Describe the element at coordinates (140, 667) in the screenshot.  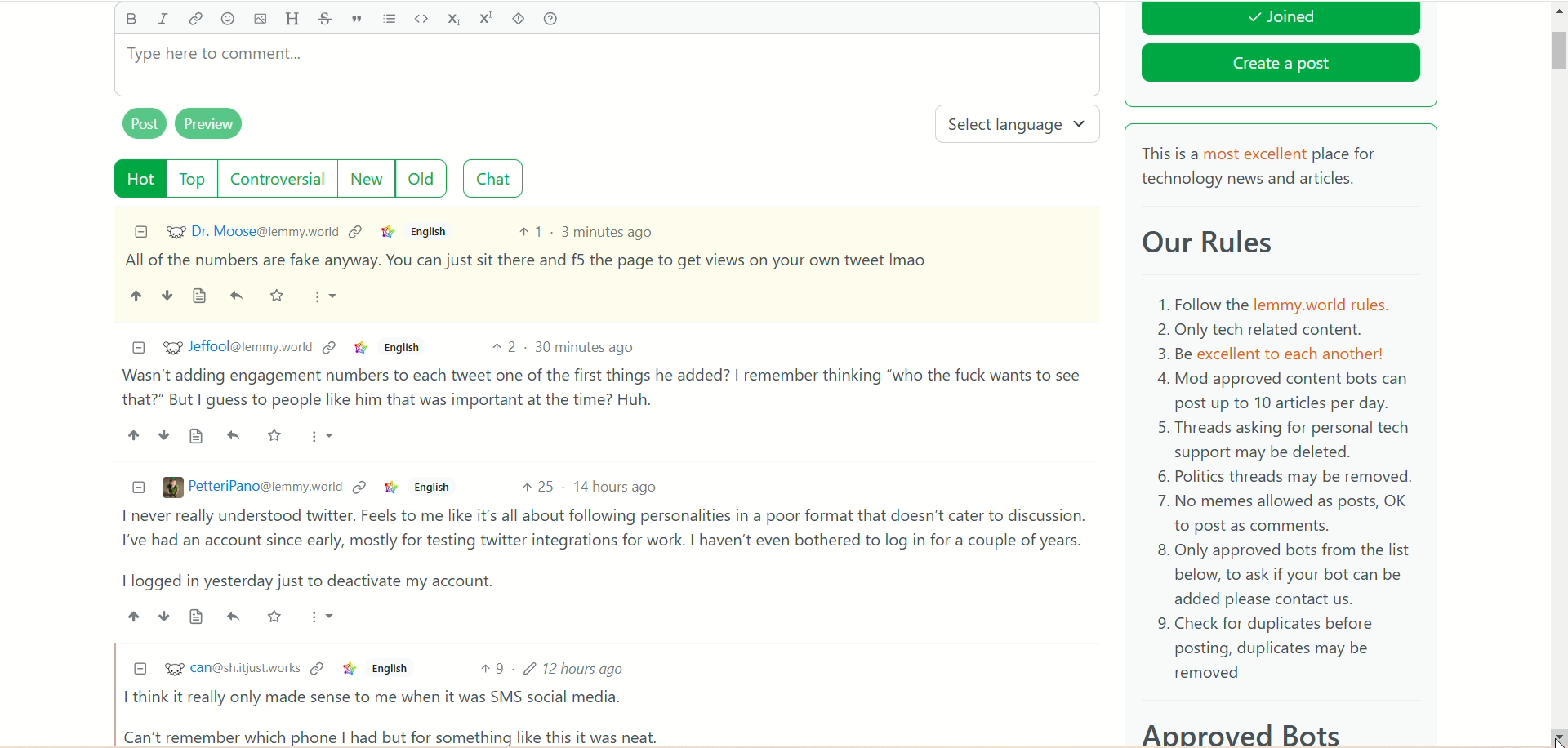
I see `Collapse` at that location.